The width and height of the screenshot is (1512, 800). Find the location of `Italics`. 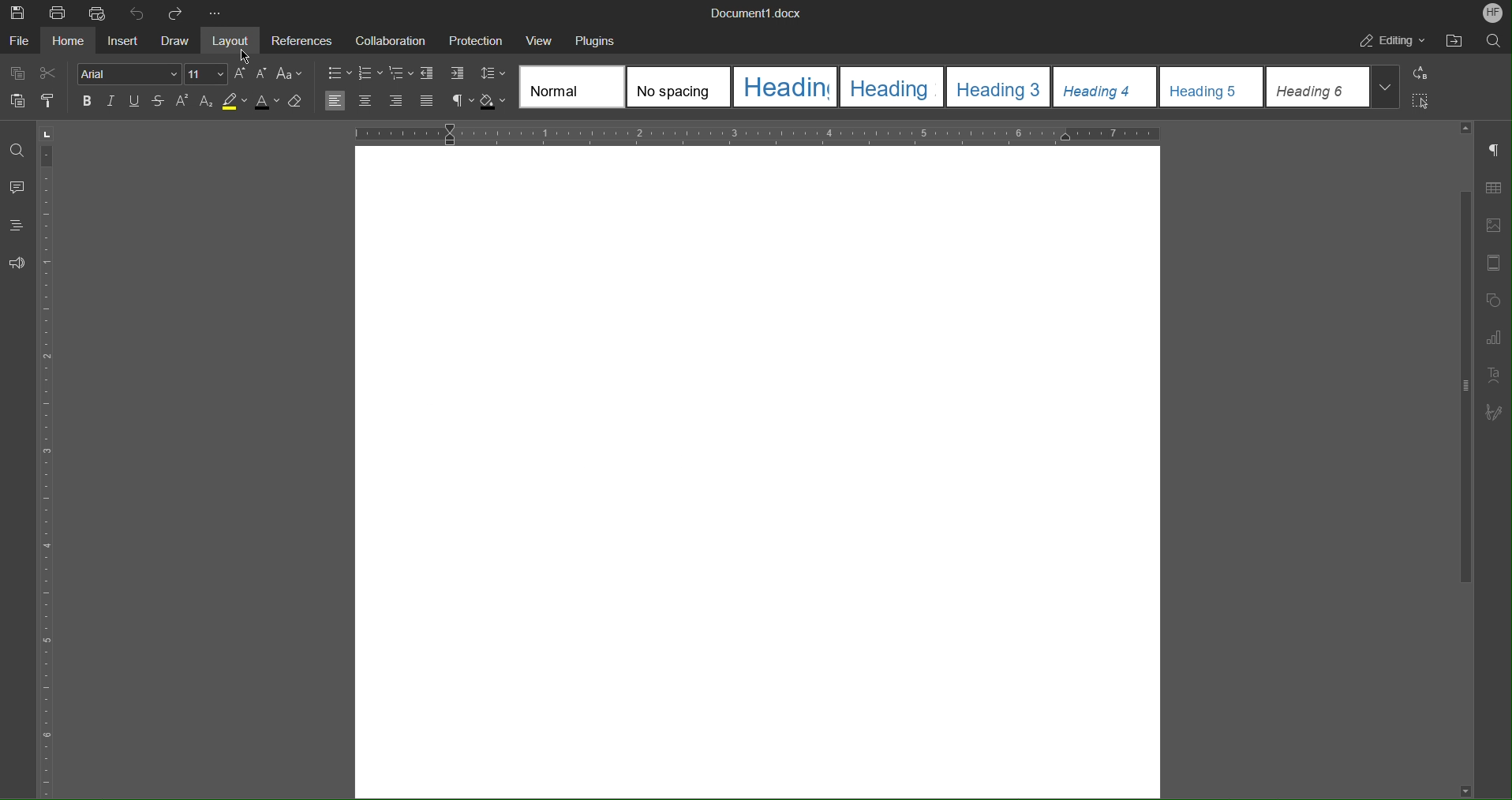

Italics is located at coordinates (113, 101).